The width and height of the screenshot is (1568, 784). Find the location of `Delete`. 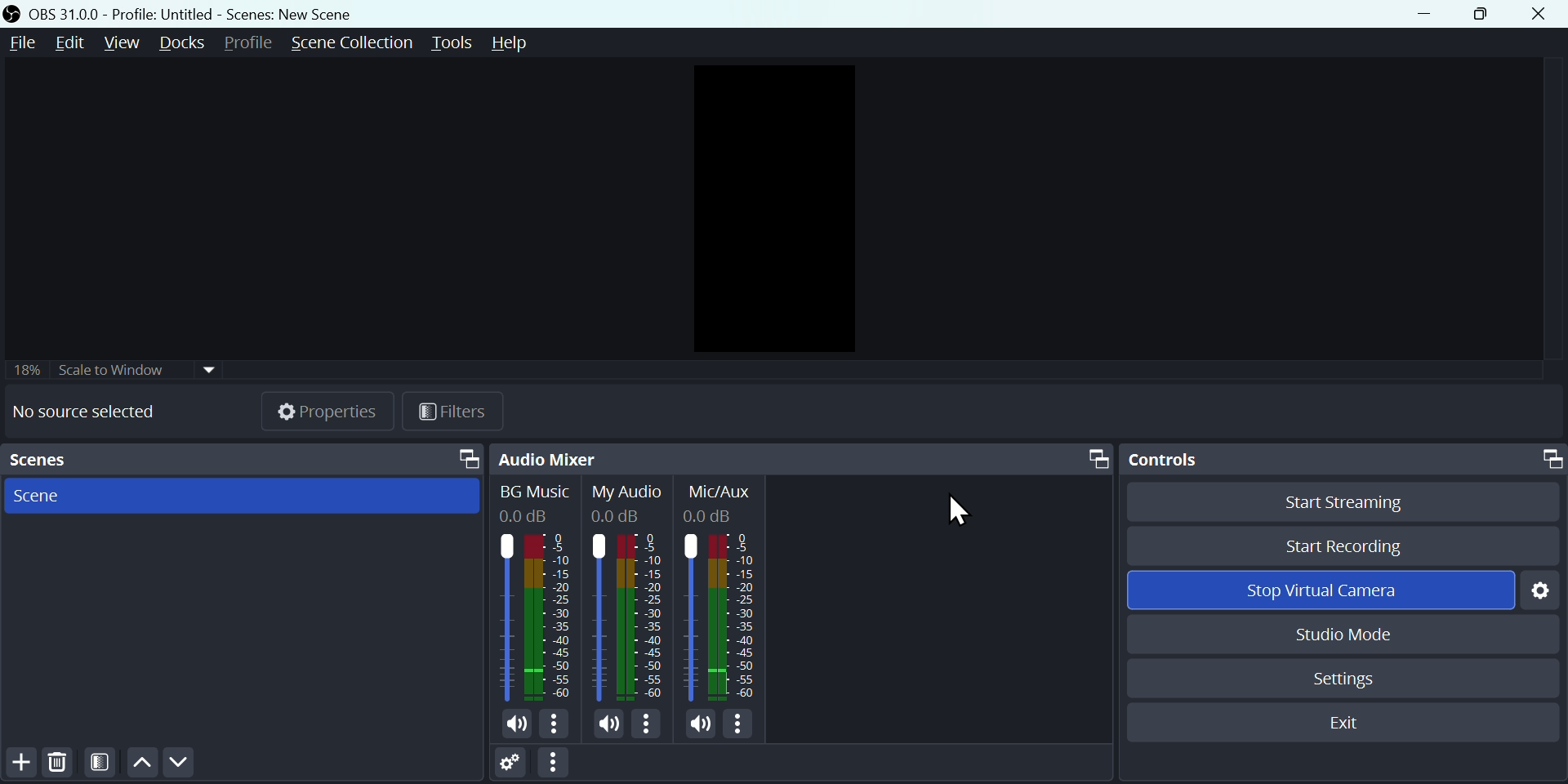

Delete is located at coordinates (60, 762).